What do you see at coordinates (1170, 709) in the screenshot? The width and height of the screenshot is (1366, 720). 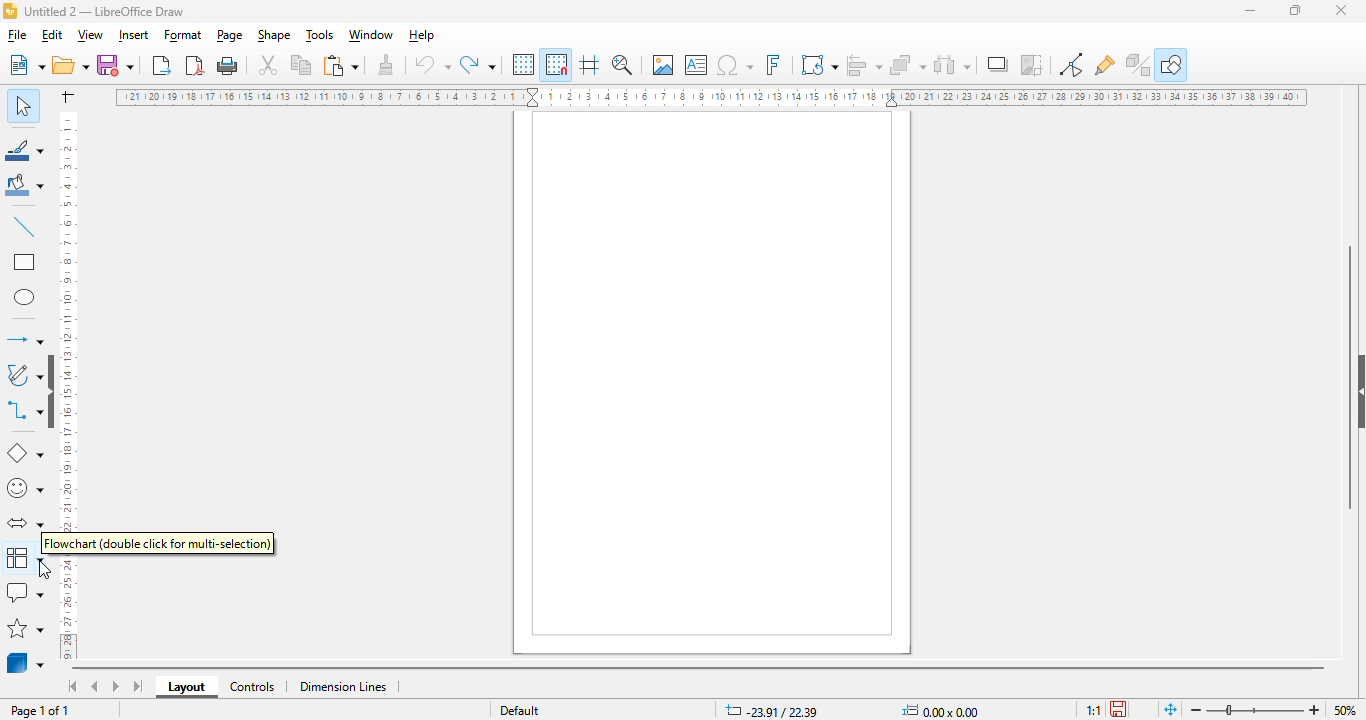 I see `fit page to current window` at bounding box center [1170, 709].